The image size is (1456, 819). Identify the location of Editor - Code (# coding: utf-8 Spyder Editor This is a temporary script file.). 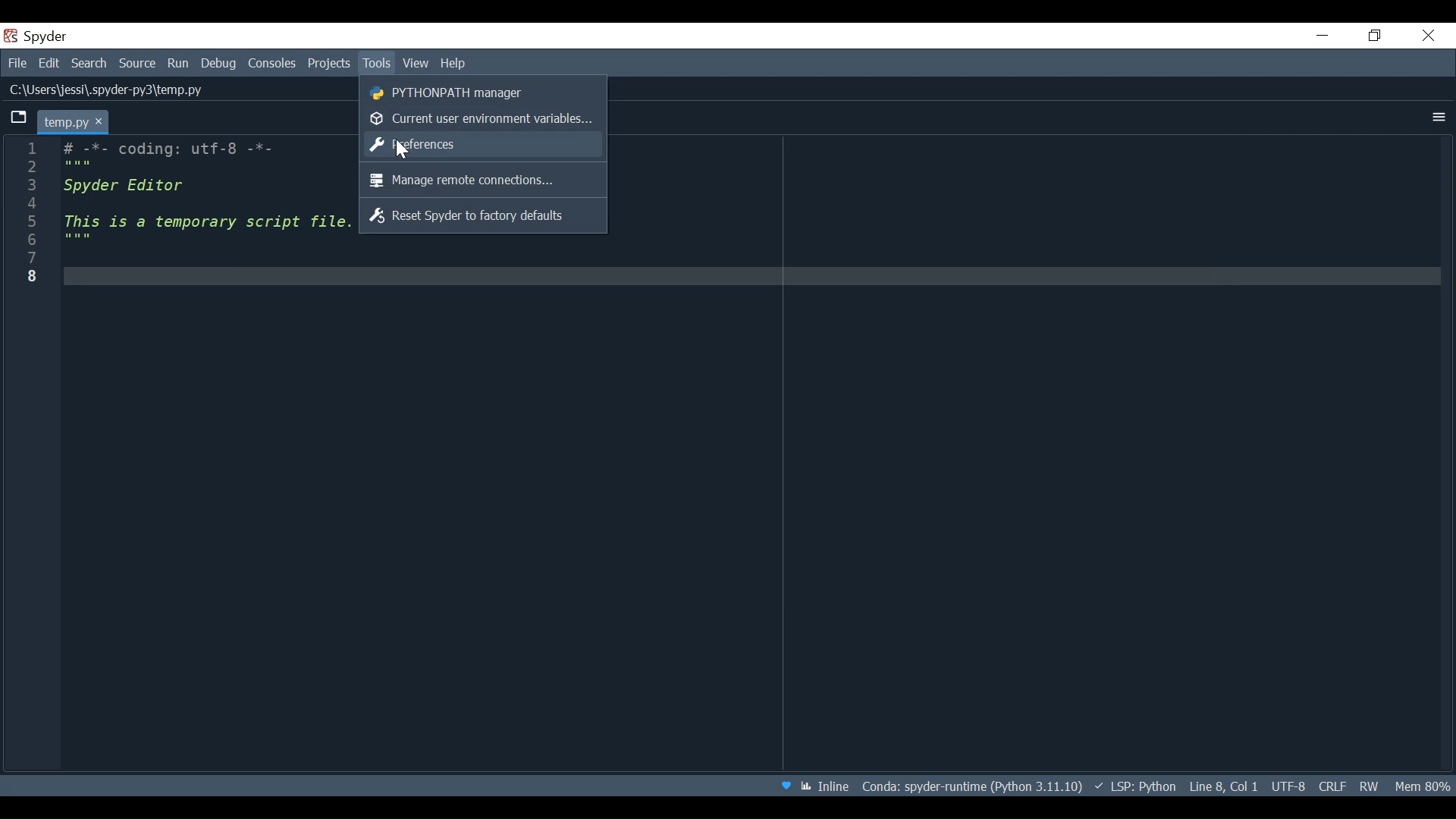
(205, 212).